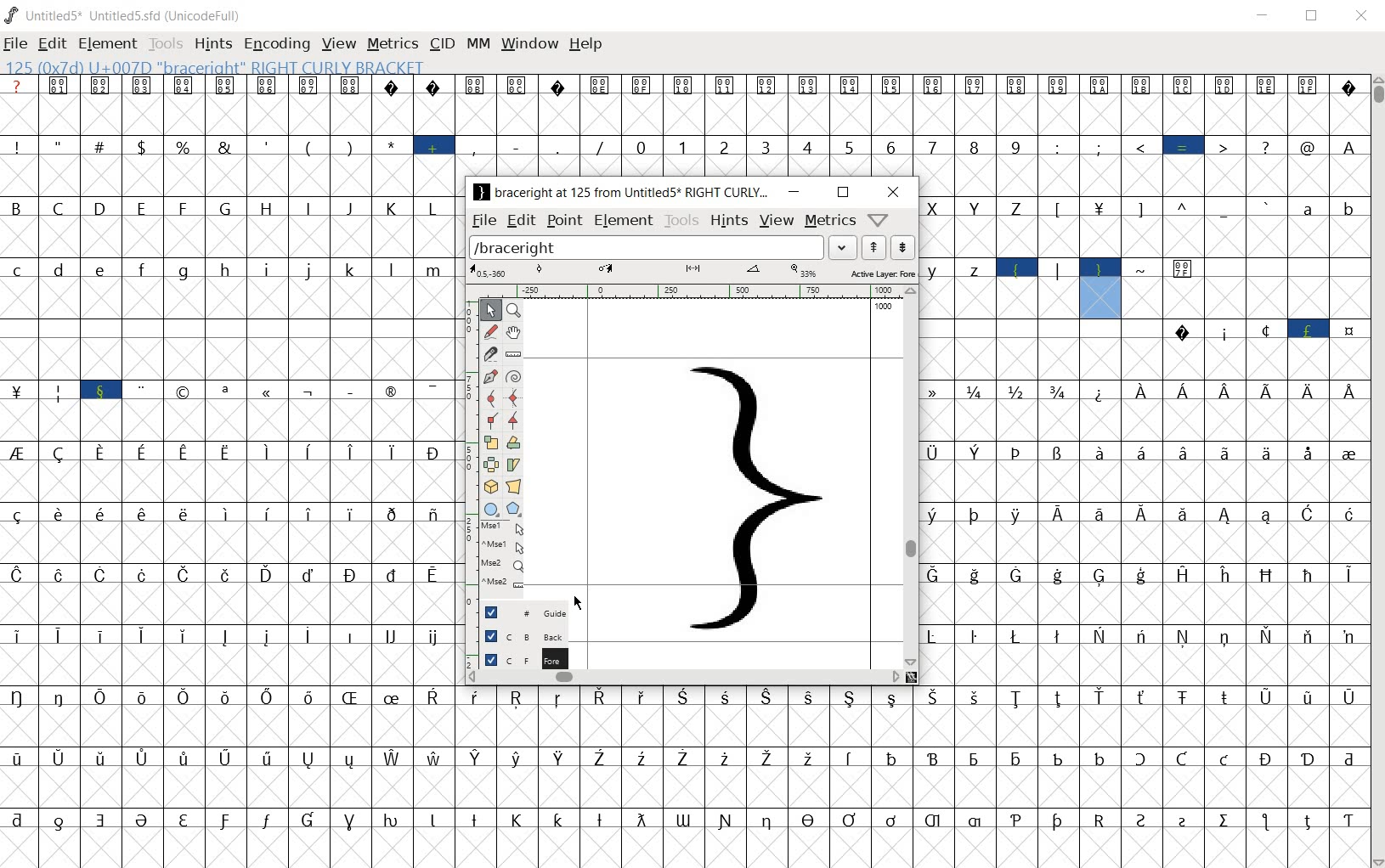  I want to click on HINTS, so click(212, 45).